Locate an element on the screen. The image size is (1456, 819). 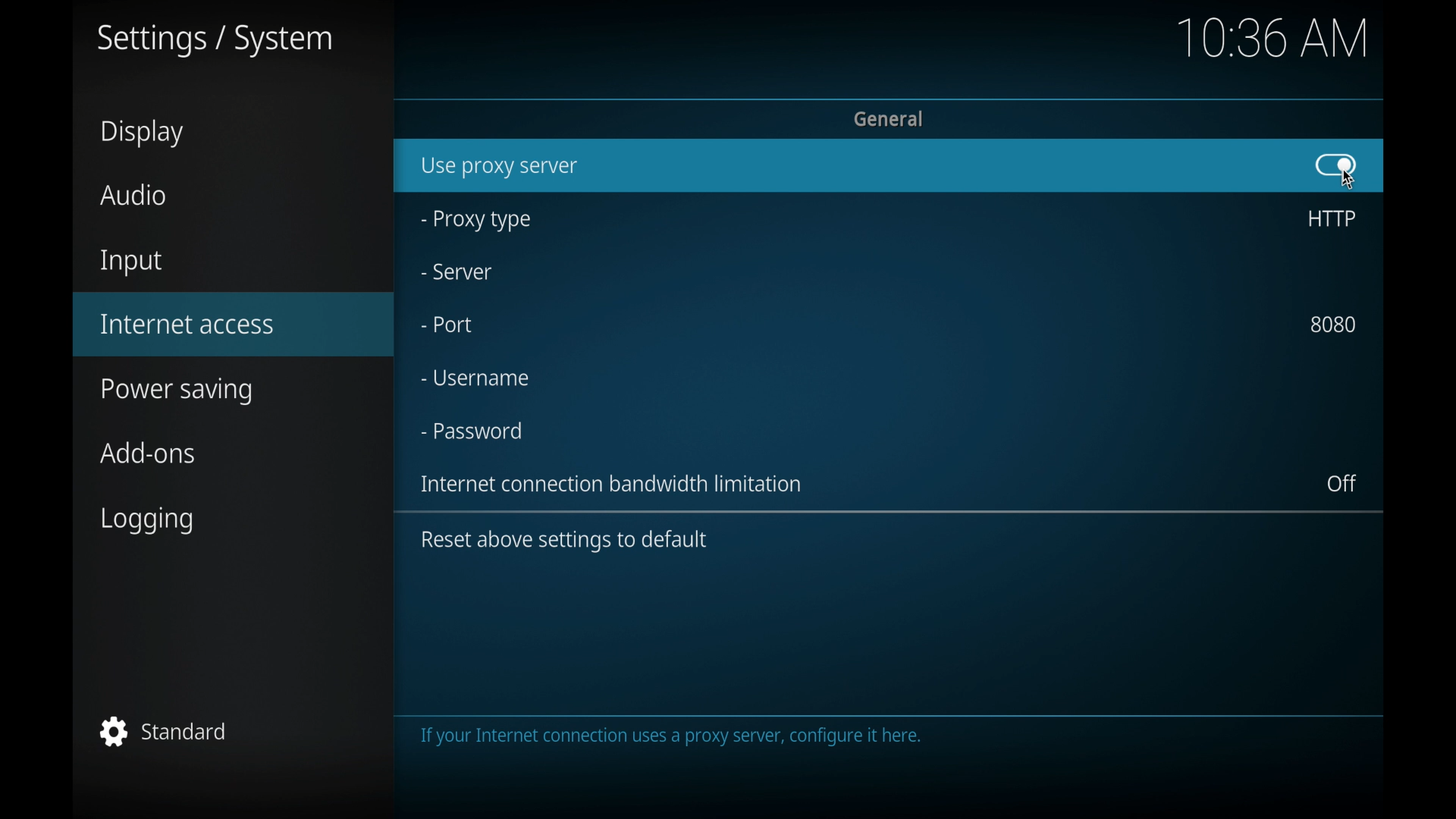
add-ons is located at coordinates (149, 453).